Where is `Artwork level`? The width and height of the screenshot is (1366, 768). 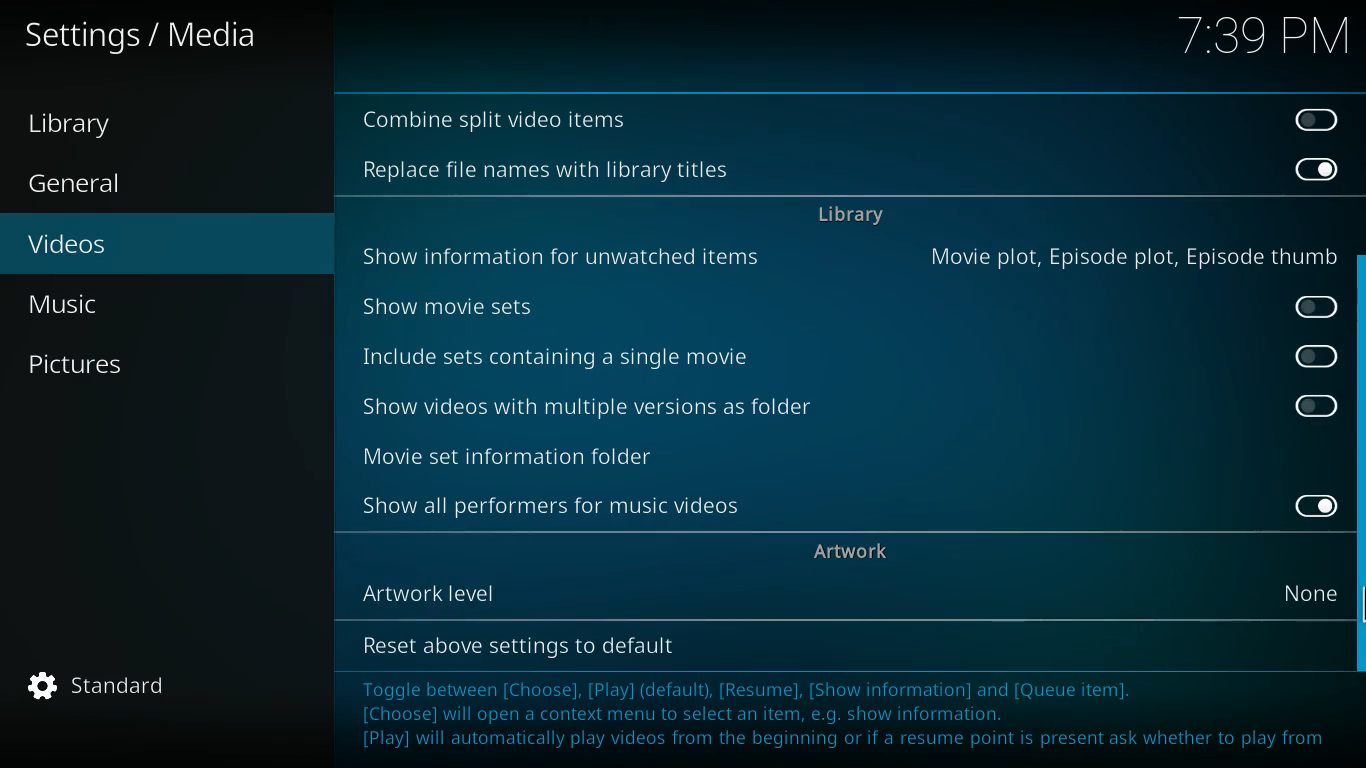 Artwork level is located at coordinates (563, 589).